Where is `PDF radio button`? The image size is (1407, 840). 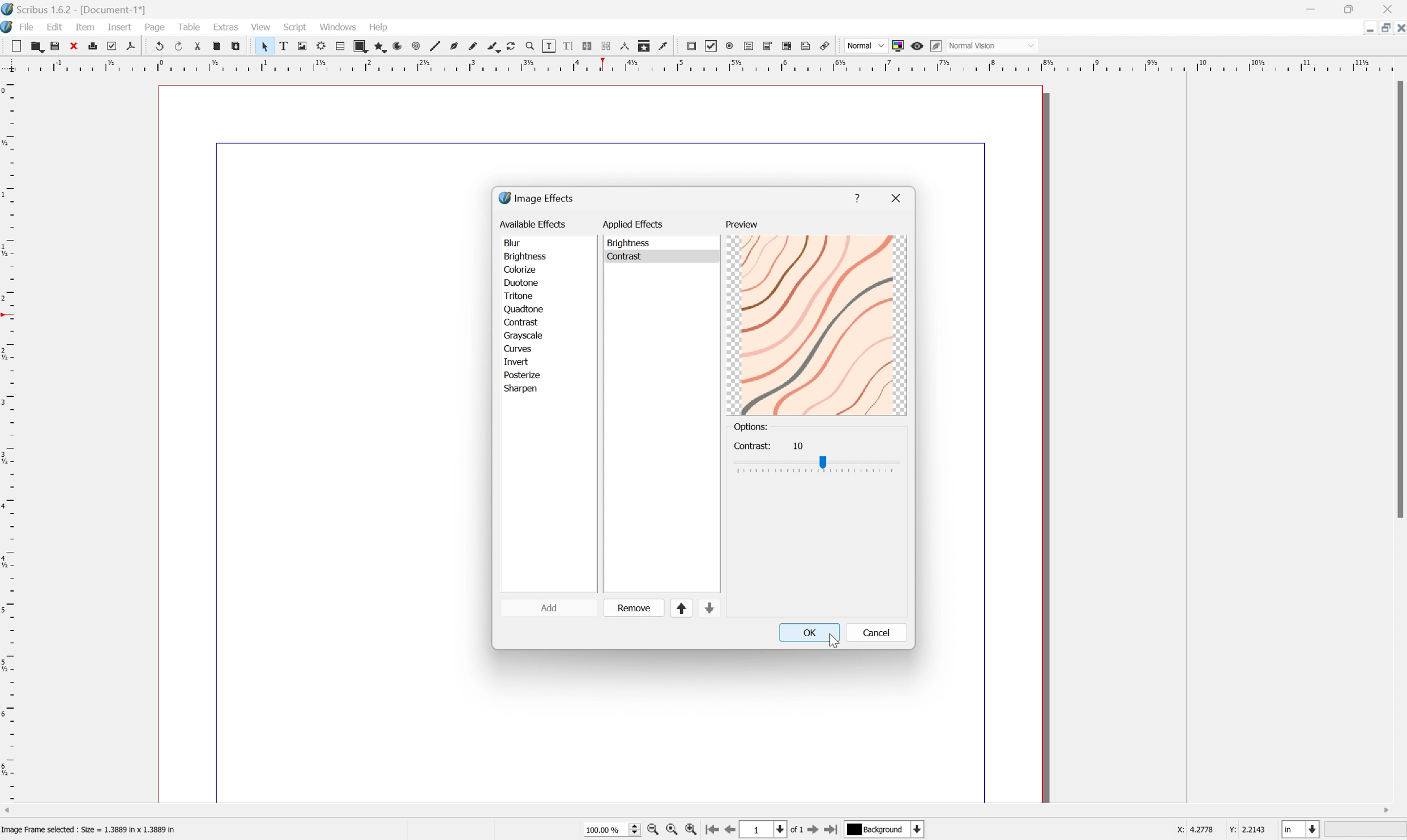
PDF radio button is located at coordinates (729, 46).